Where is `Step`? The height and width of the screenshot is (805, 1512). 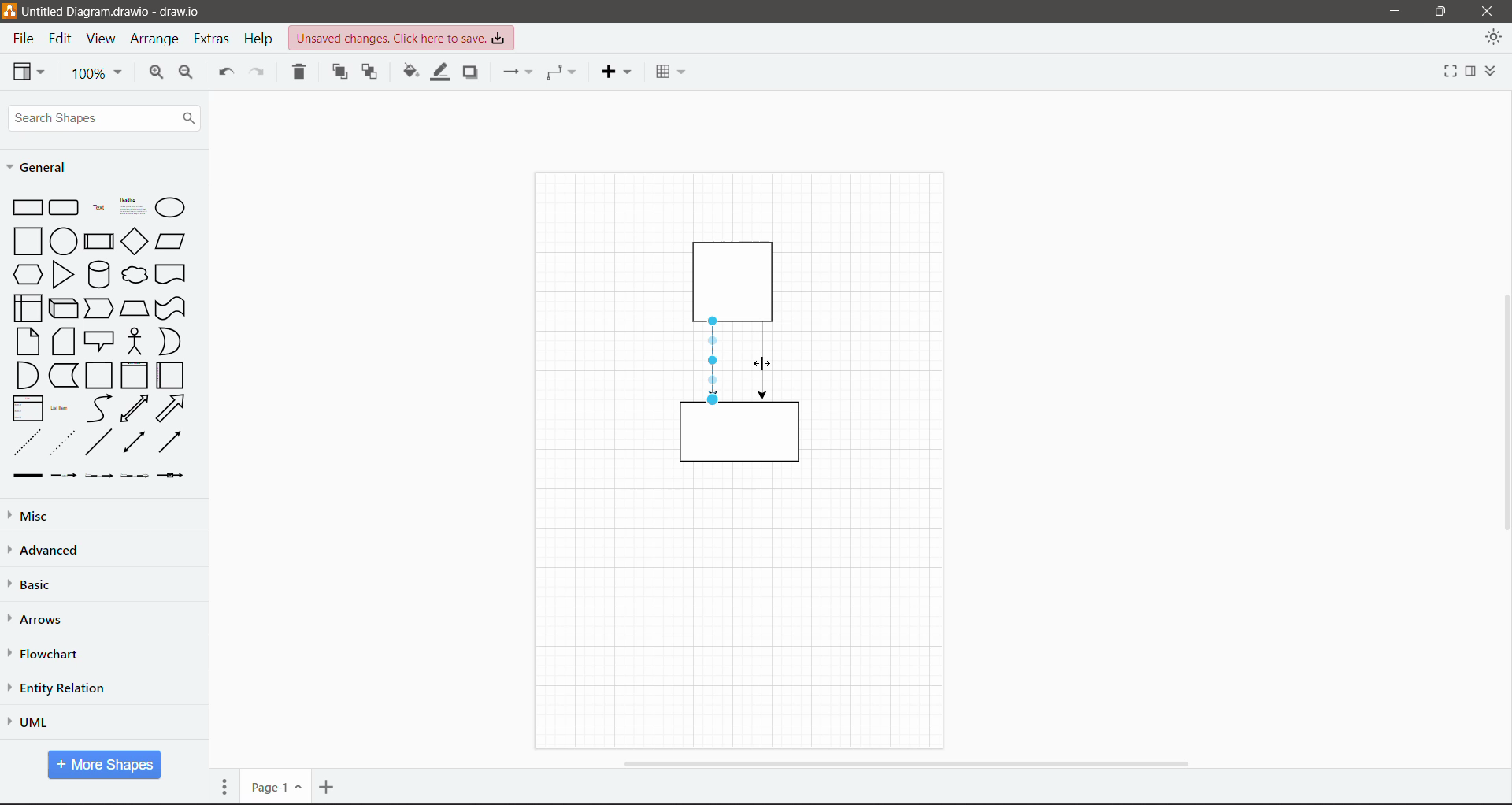
Step is located at coordinates (99, 306).